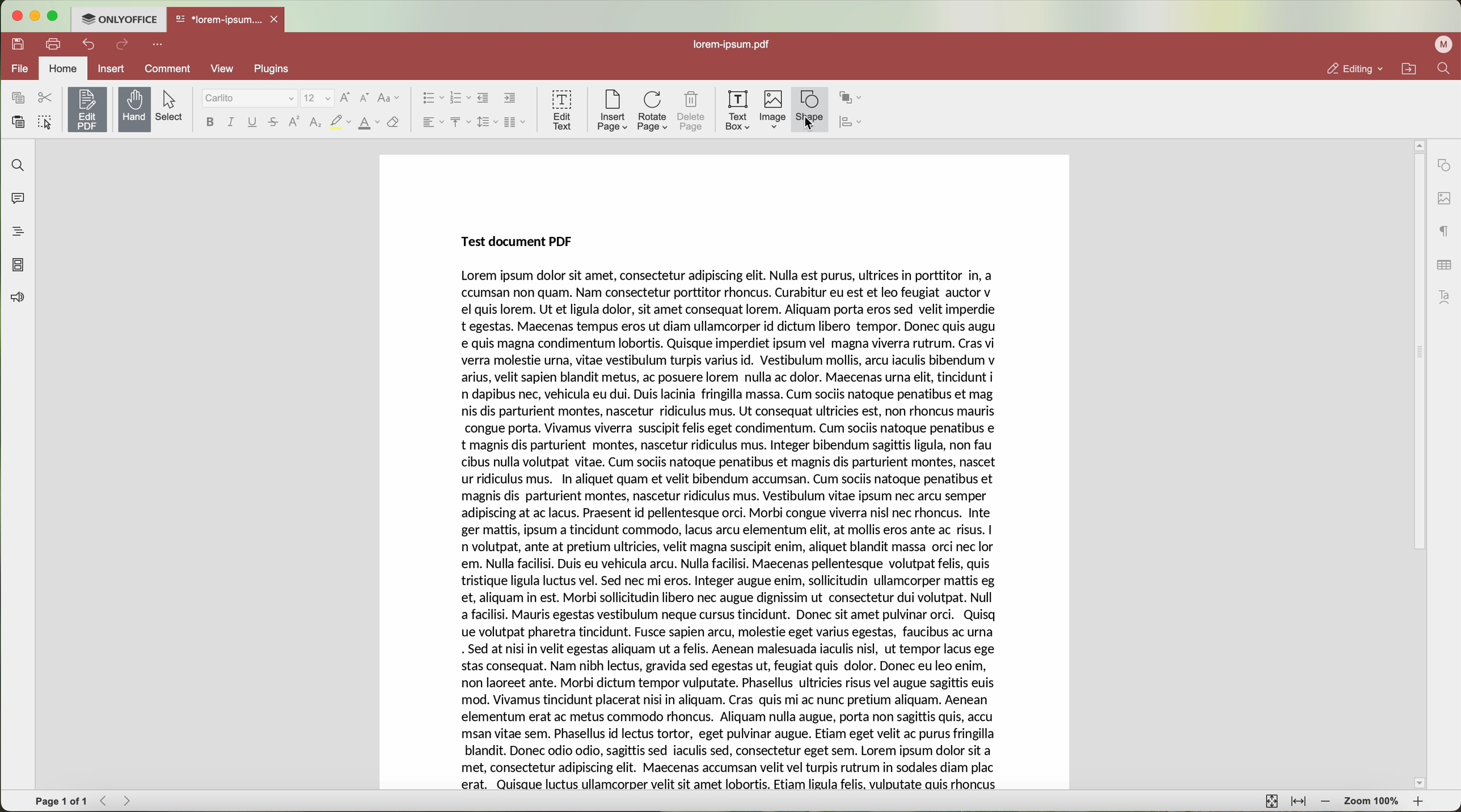 This screenshot has width=1461, height=812. What do you see at coordinates (854, 124) in the screenshot?
I see `align shape` at bounding box center [854, 124].